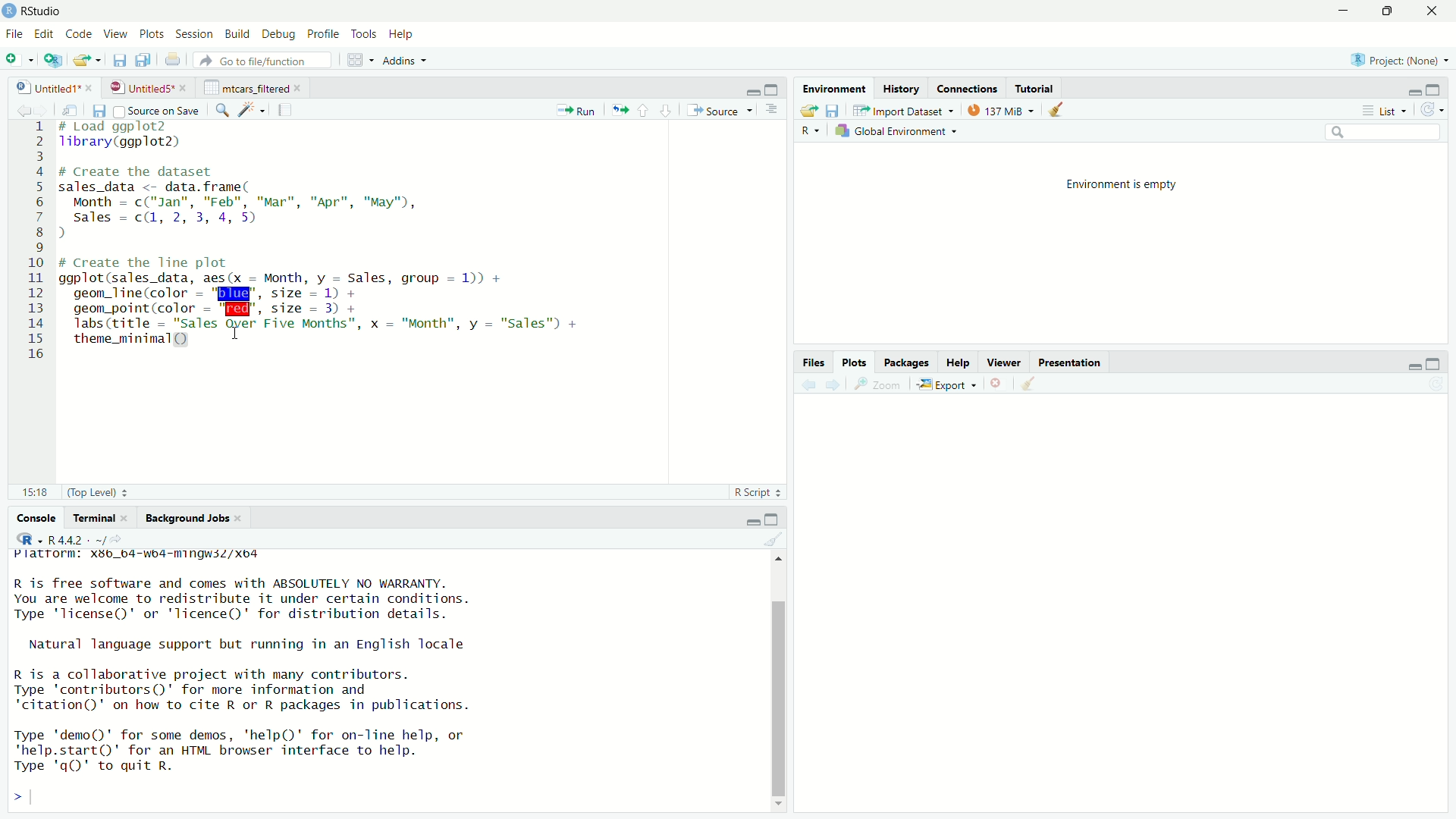 The image size is (1456, 819). I want to click on edit, so click(45, 34).